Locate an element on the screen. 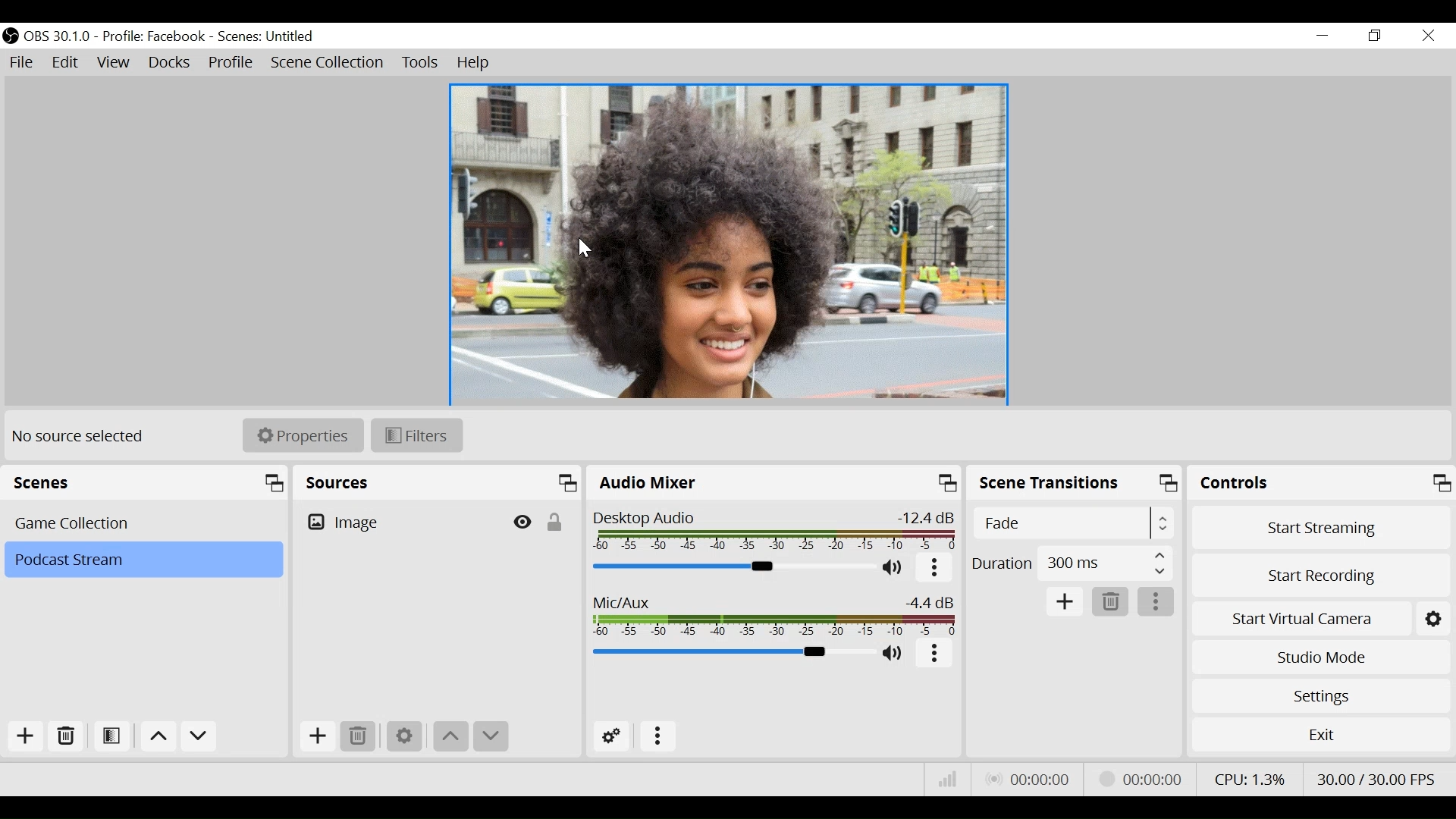 Image resolution: width=1456 pixels, height=819 pixels. More options is located at coordinates (935, 571).